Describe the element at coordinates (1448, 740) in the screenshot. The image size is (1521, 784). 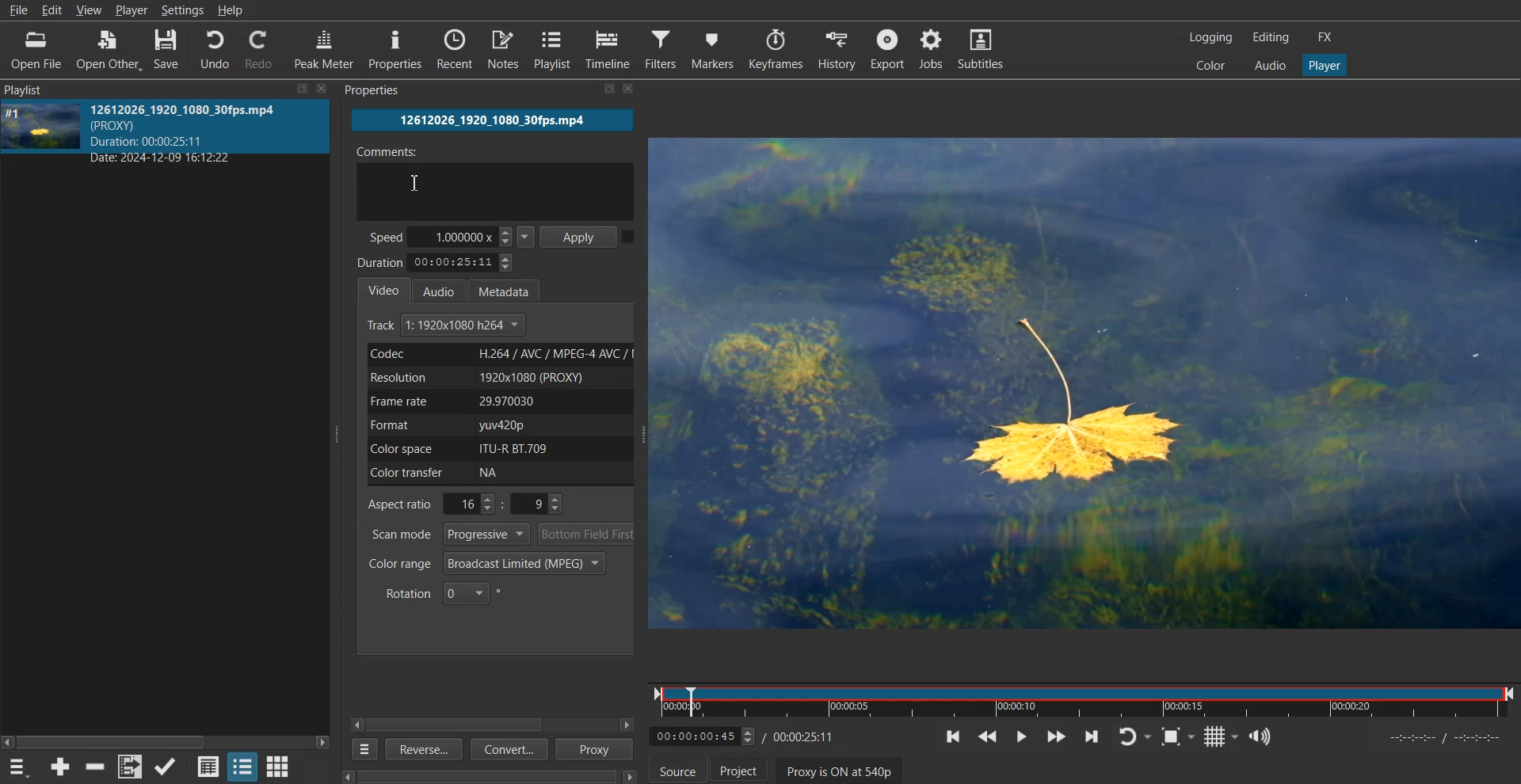
I see `timeline` at that location.